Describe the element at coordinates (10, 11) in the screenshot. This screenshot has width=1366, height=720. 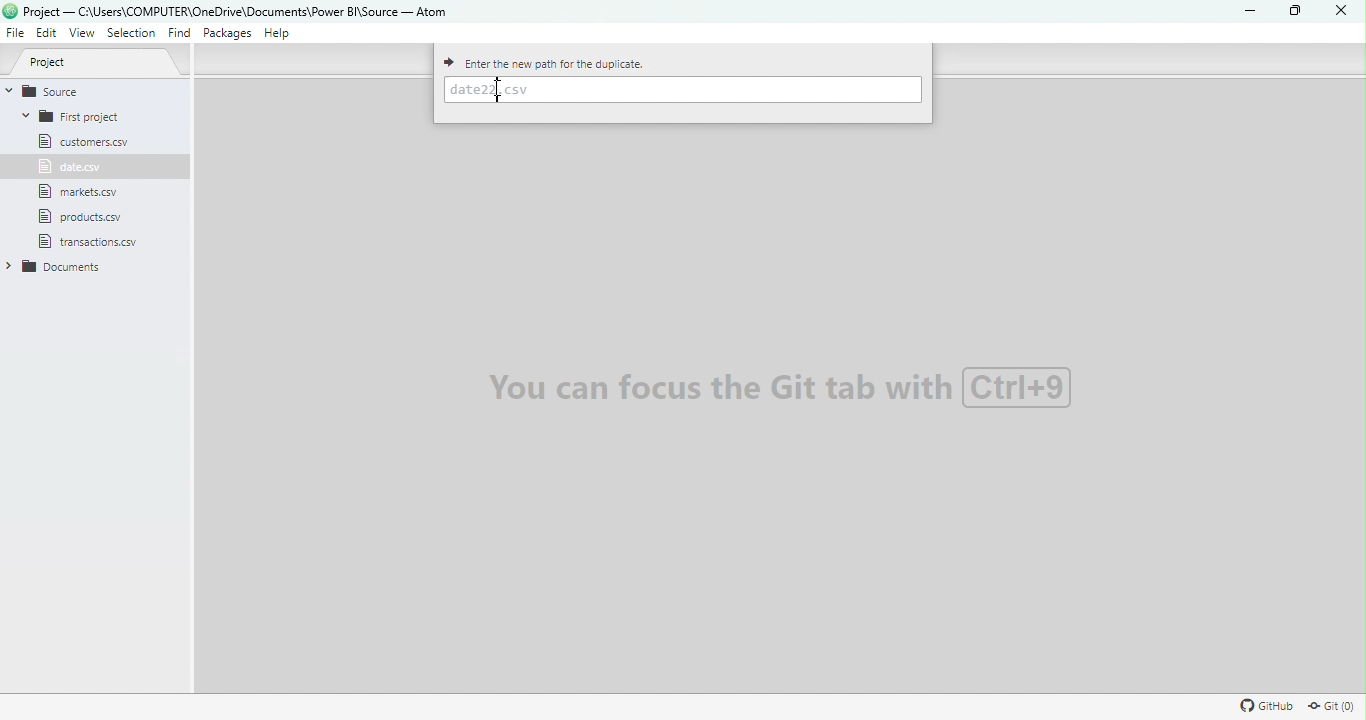
I see `logo` at that location.